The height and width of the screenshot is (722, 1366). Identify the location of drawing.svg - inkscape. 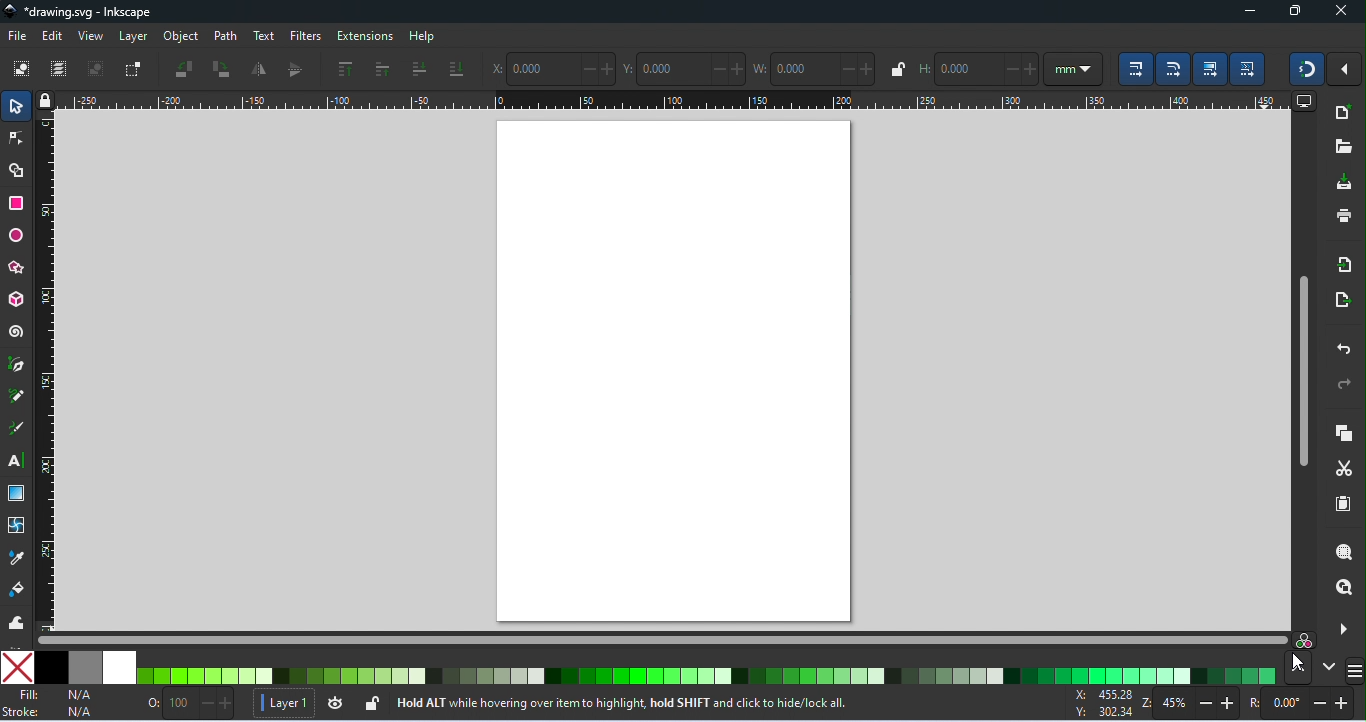
(79, 12).